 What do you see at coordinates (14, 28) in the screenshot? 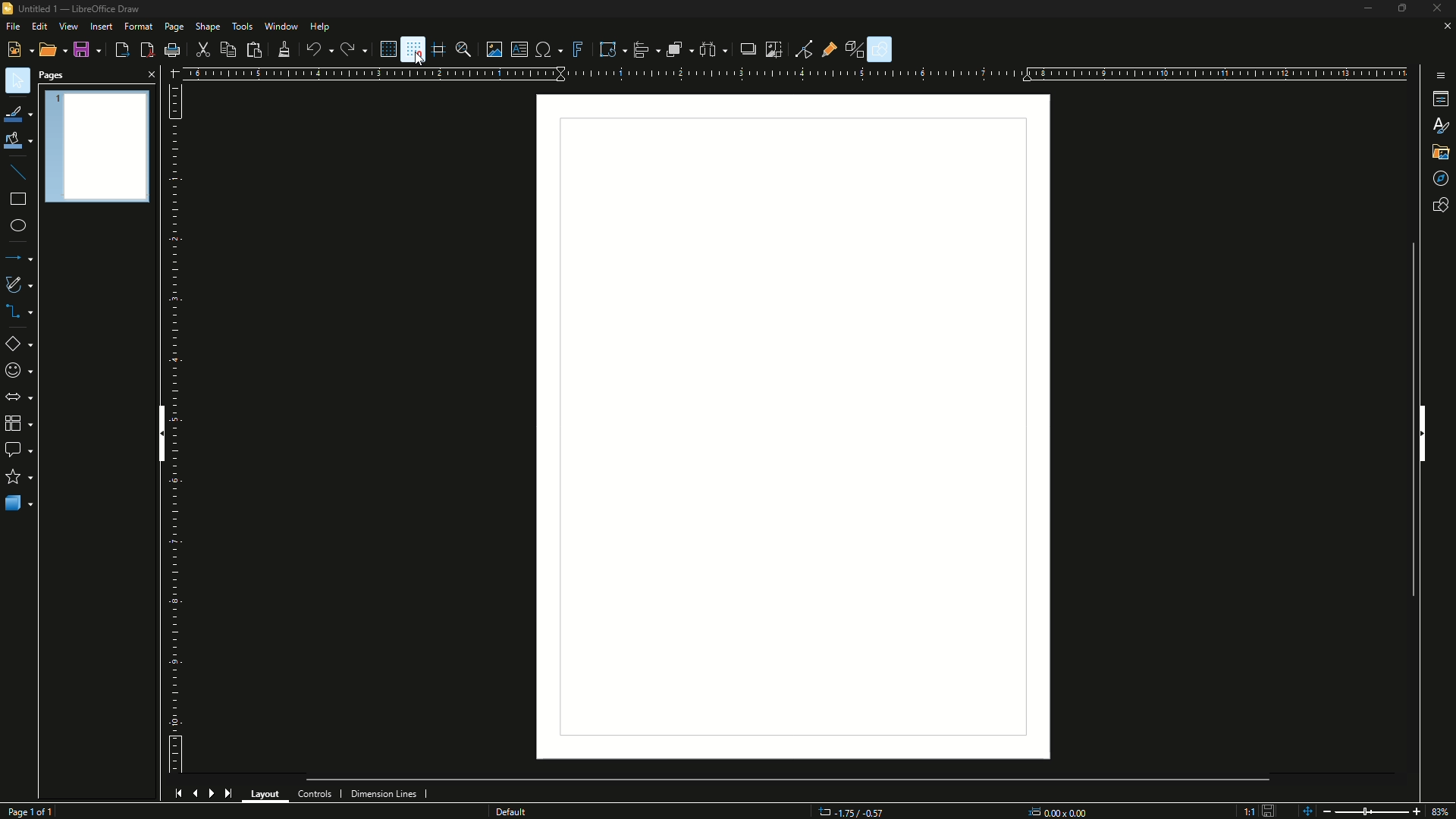
I see `File` at bounding box center [14, 28].